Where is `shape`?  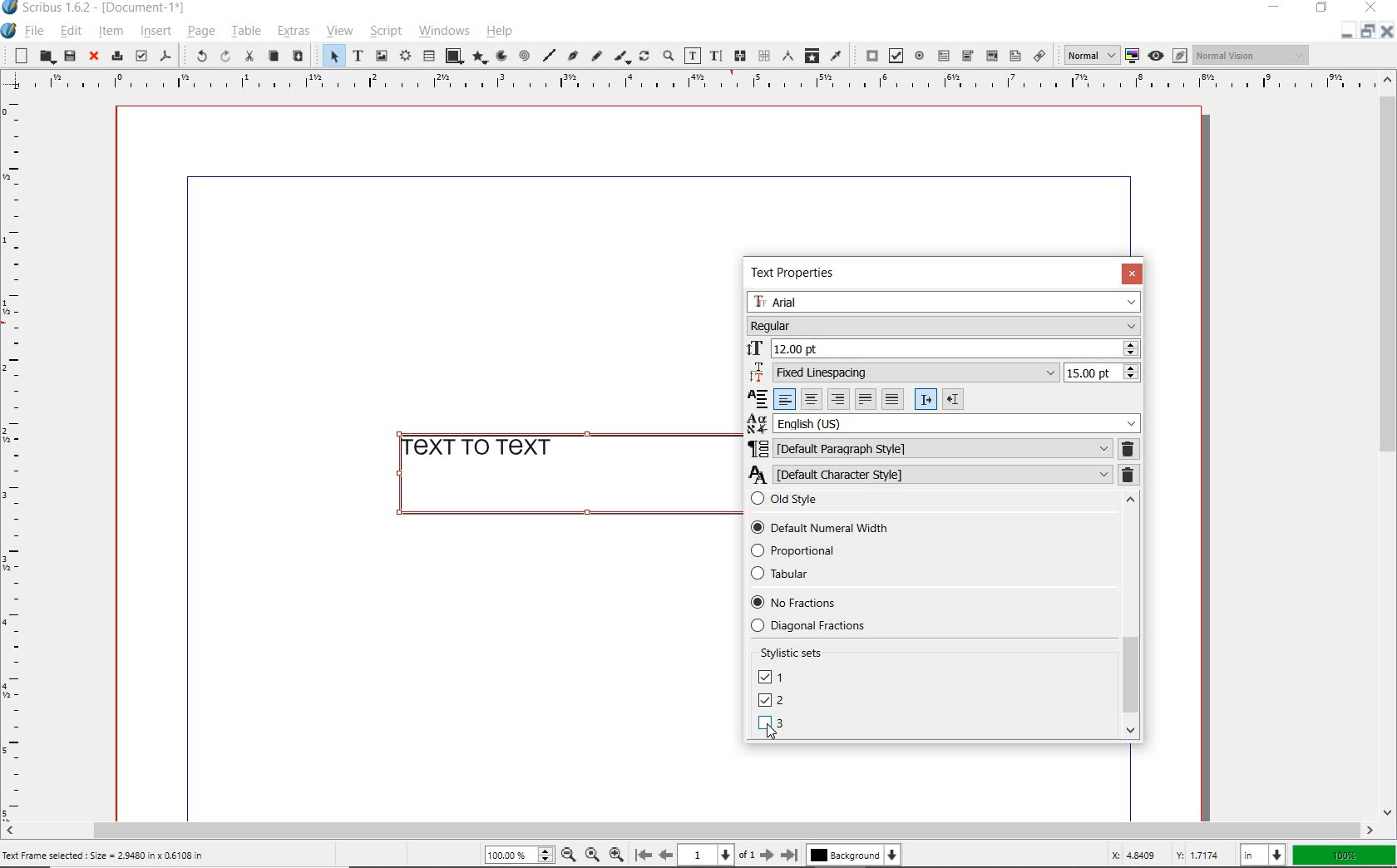
shape is located at coordinates (453, 57).